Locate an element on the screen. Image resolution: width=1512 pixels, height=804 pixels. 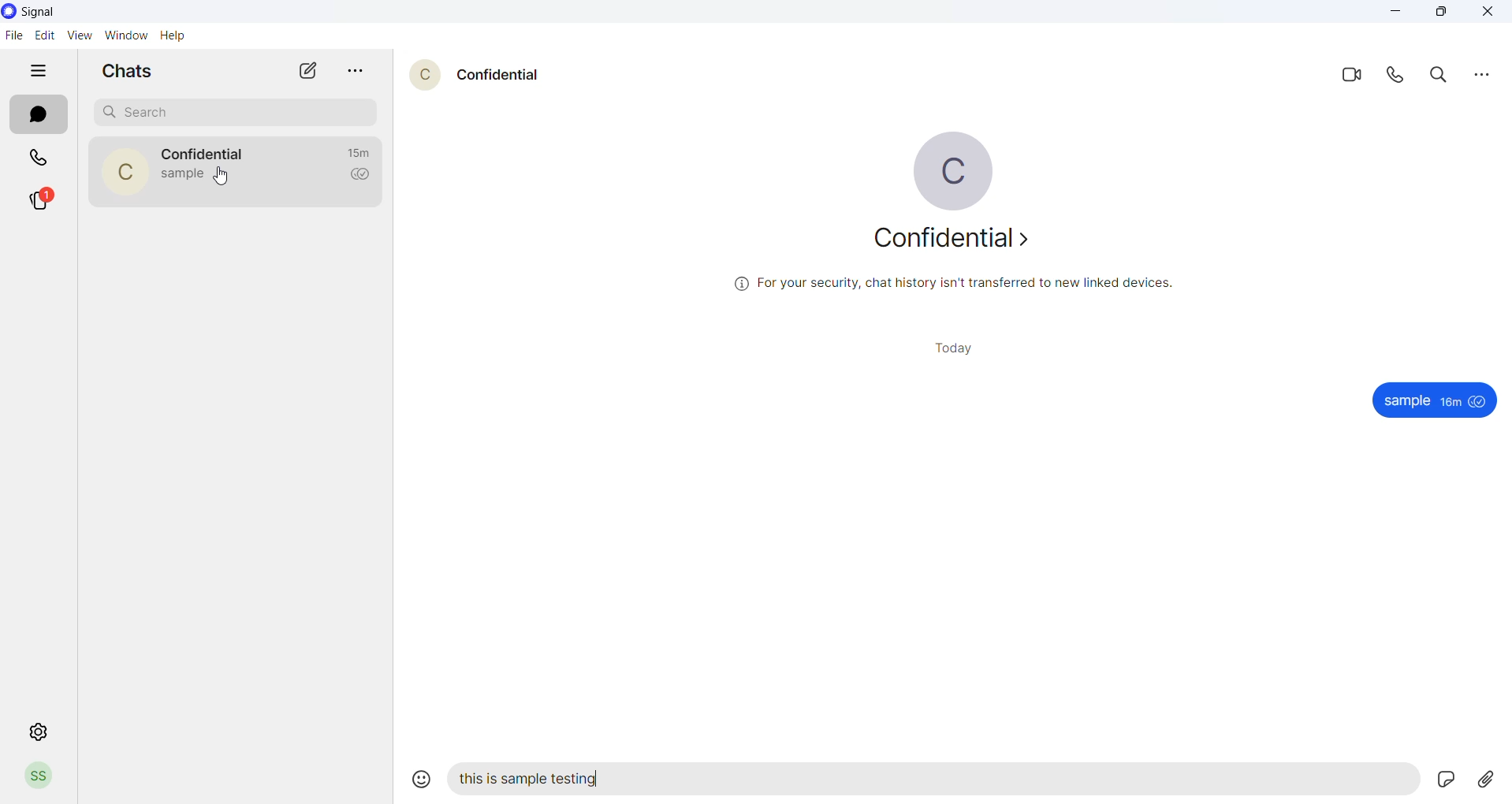
this is simple testing is located at coordinates (536, 779).